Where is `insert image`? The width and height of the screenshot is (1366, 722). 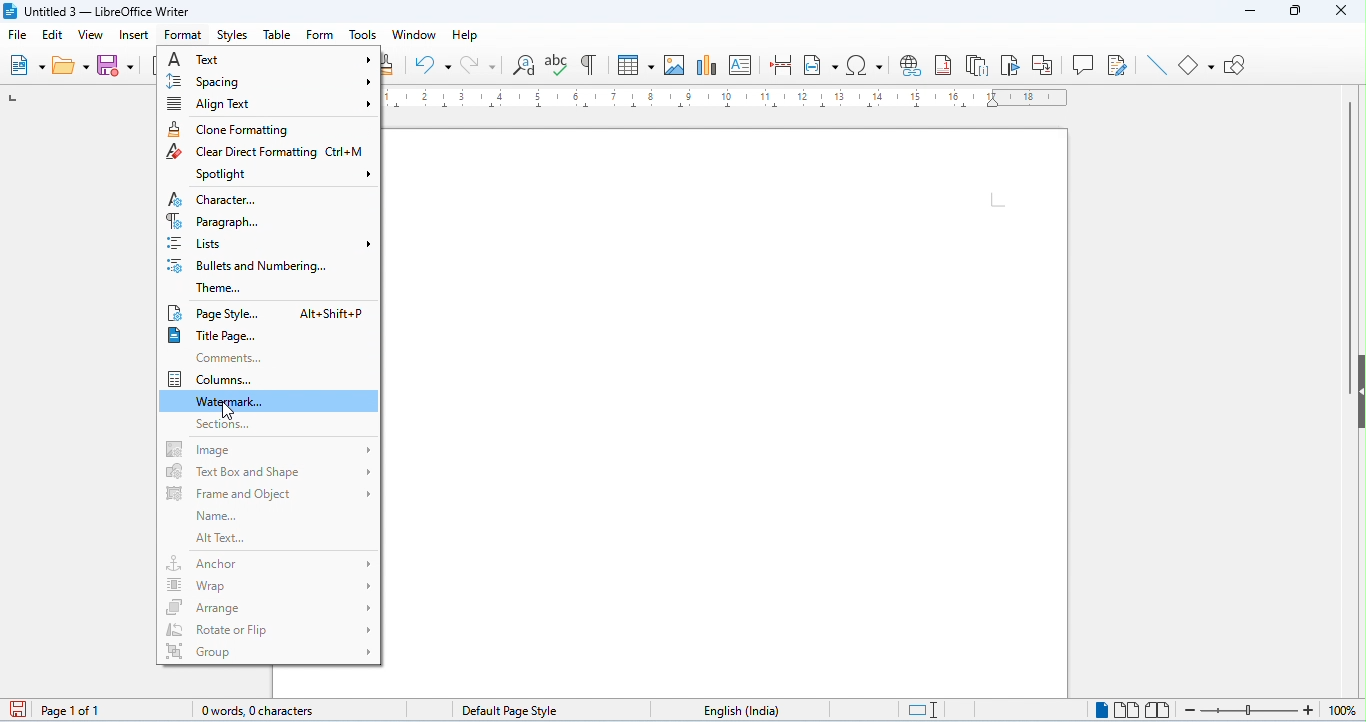
insert image is located at coordinates (677, 65).